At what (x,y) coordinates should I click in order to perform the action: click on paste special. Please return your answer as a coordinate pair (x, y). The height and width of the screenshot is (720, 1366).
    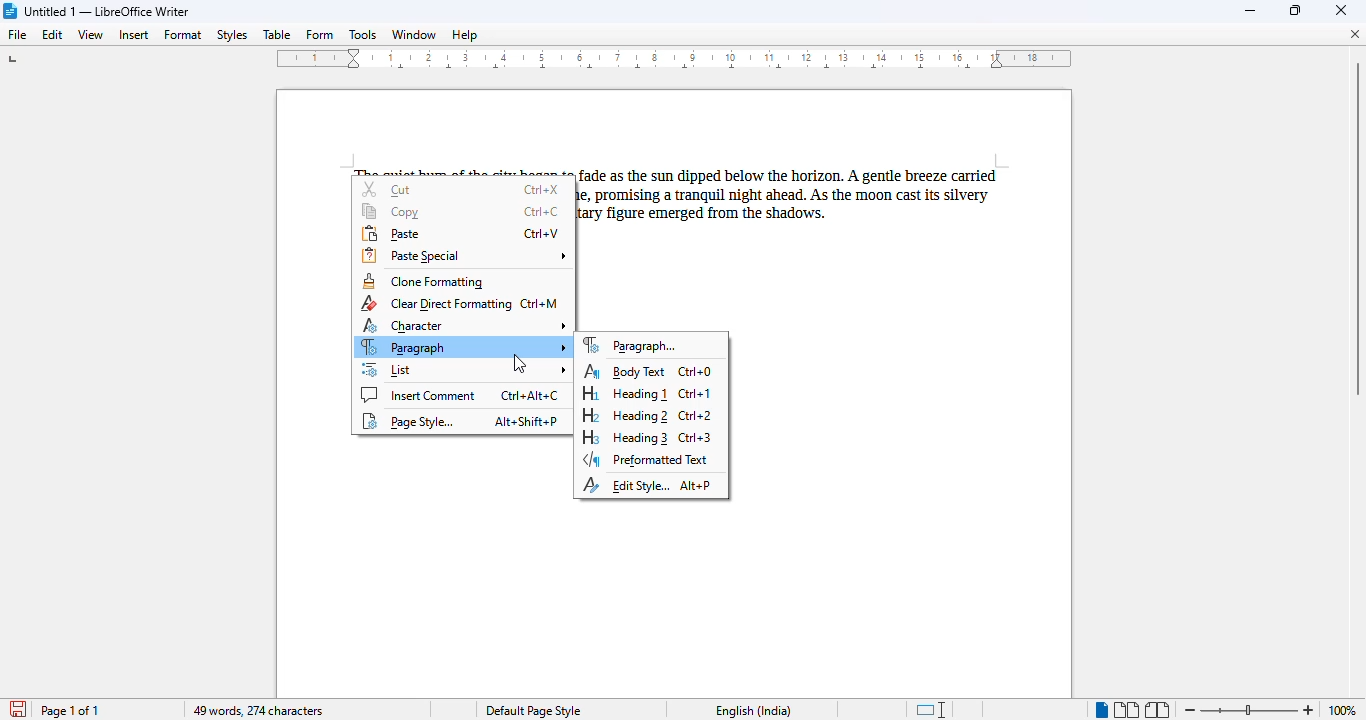
    Looking at the image, I should click on (463, 255).